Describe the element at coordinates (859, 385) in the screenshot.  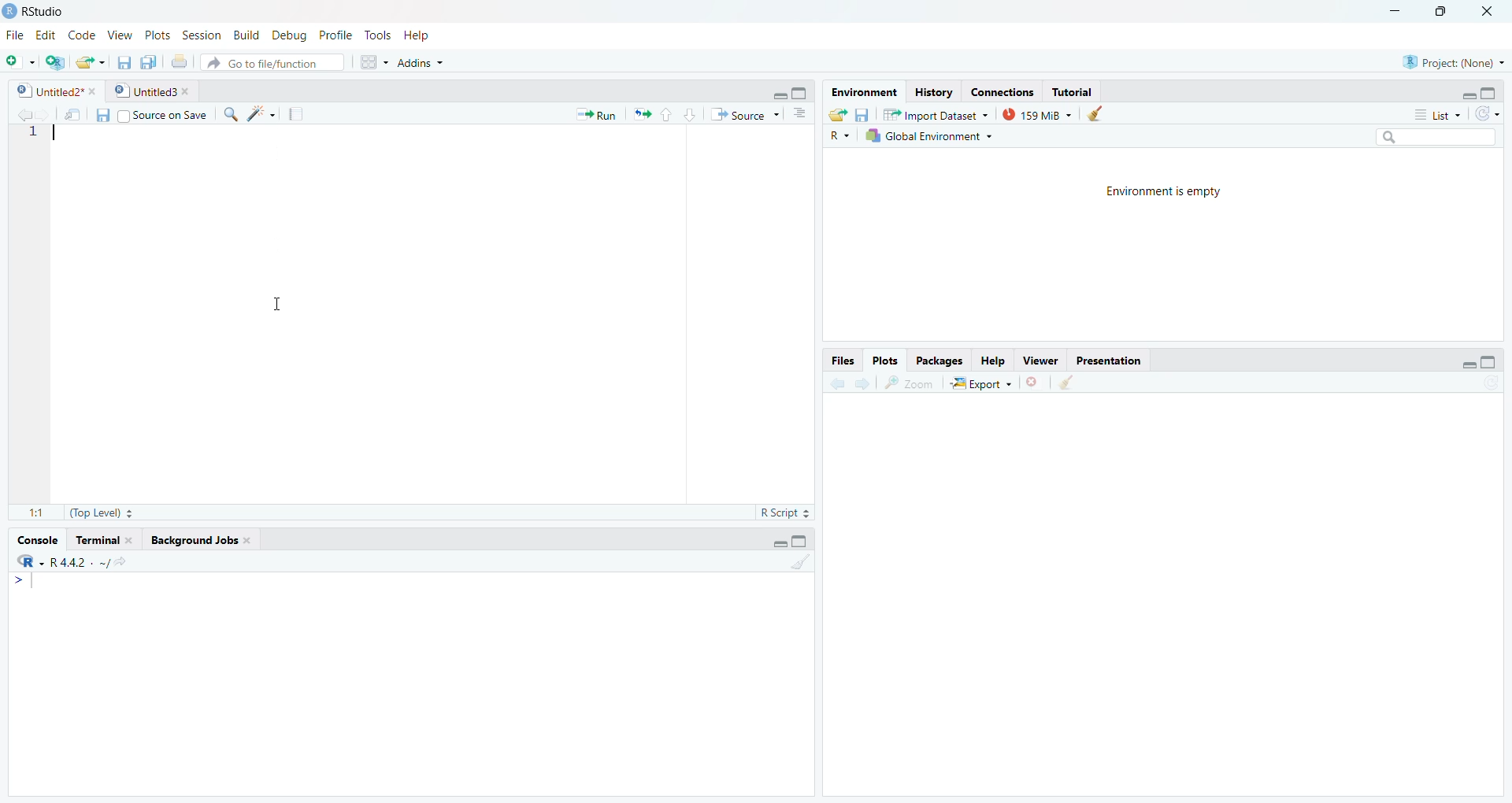
I see `Next` at that location.